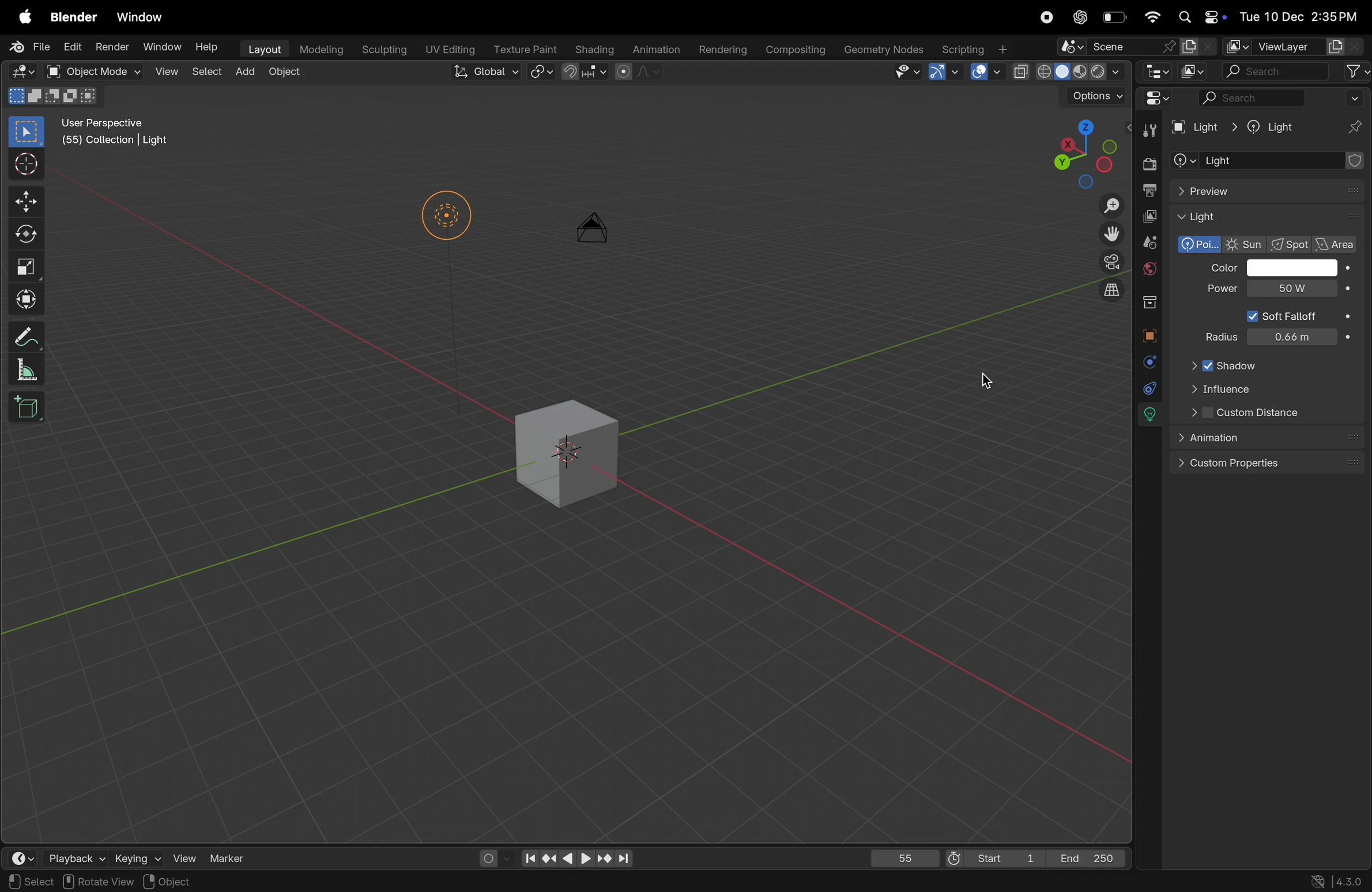 This screenshot has width=1372, height=892. What do you see at coordinates (1073, 73) in the screenshot?
I see `view port shading` at bounding box center [1073, 73].